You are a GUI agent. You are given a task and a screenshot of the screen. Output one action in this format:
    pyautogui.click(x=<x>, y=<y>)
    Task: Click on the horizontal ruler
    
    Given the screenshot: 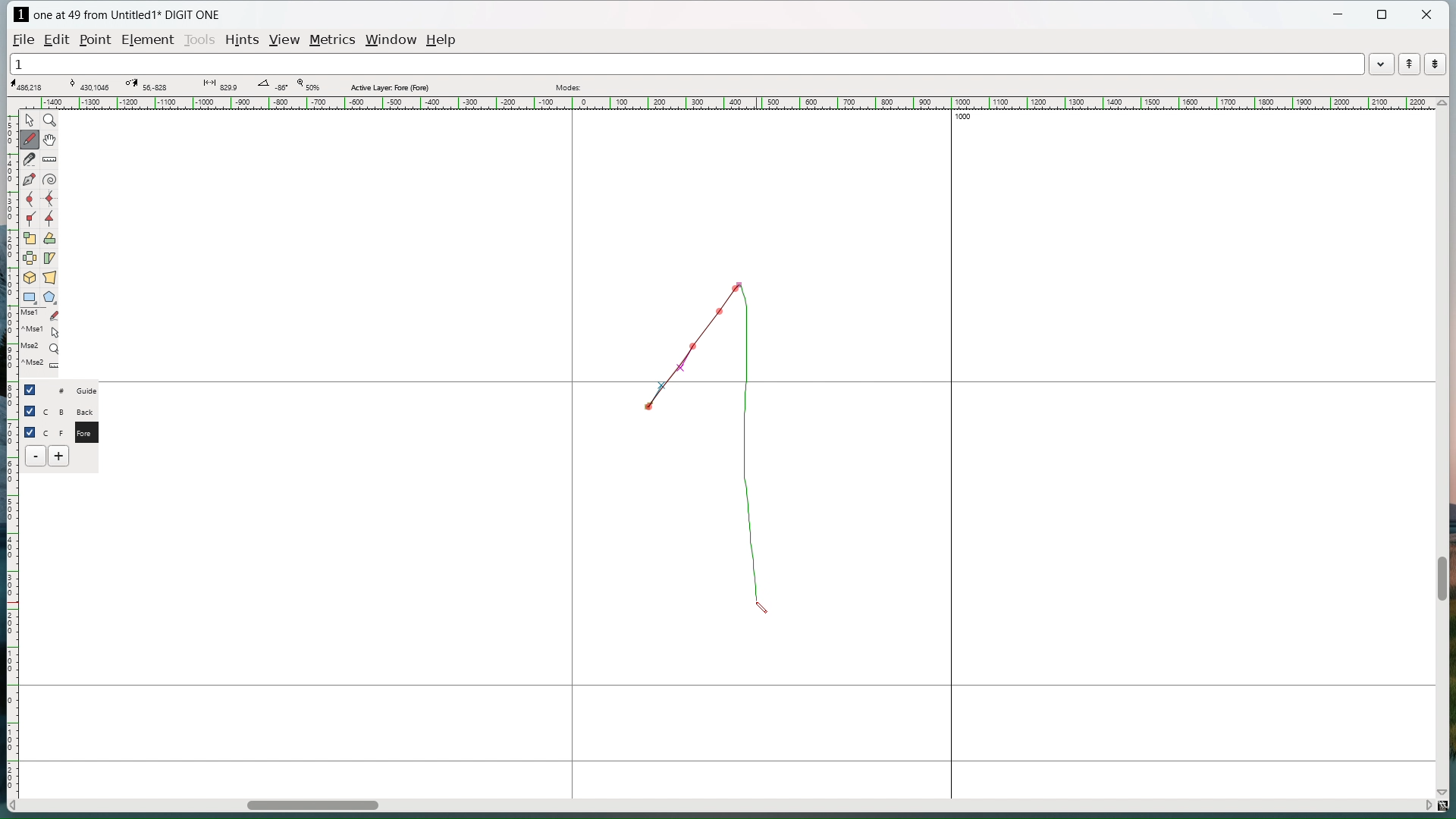 What is the action you would take?
    pyautogui.click(x=725, y=103)
    